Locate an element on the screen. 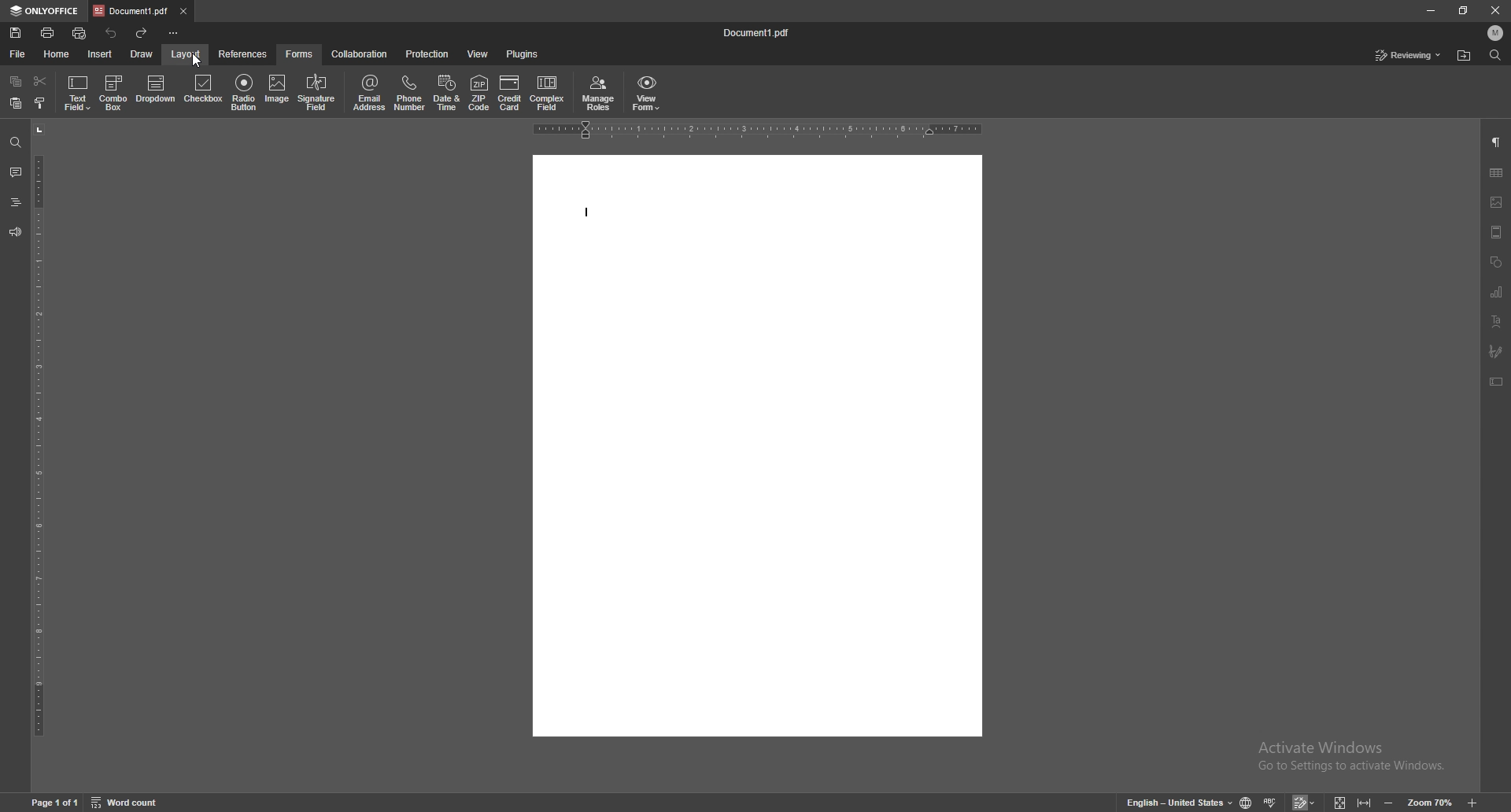 The image size is (1511, 812). zoom is located at coordinates (1431, 803).